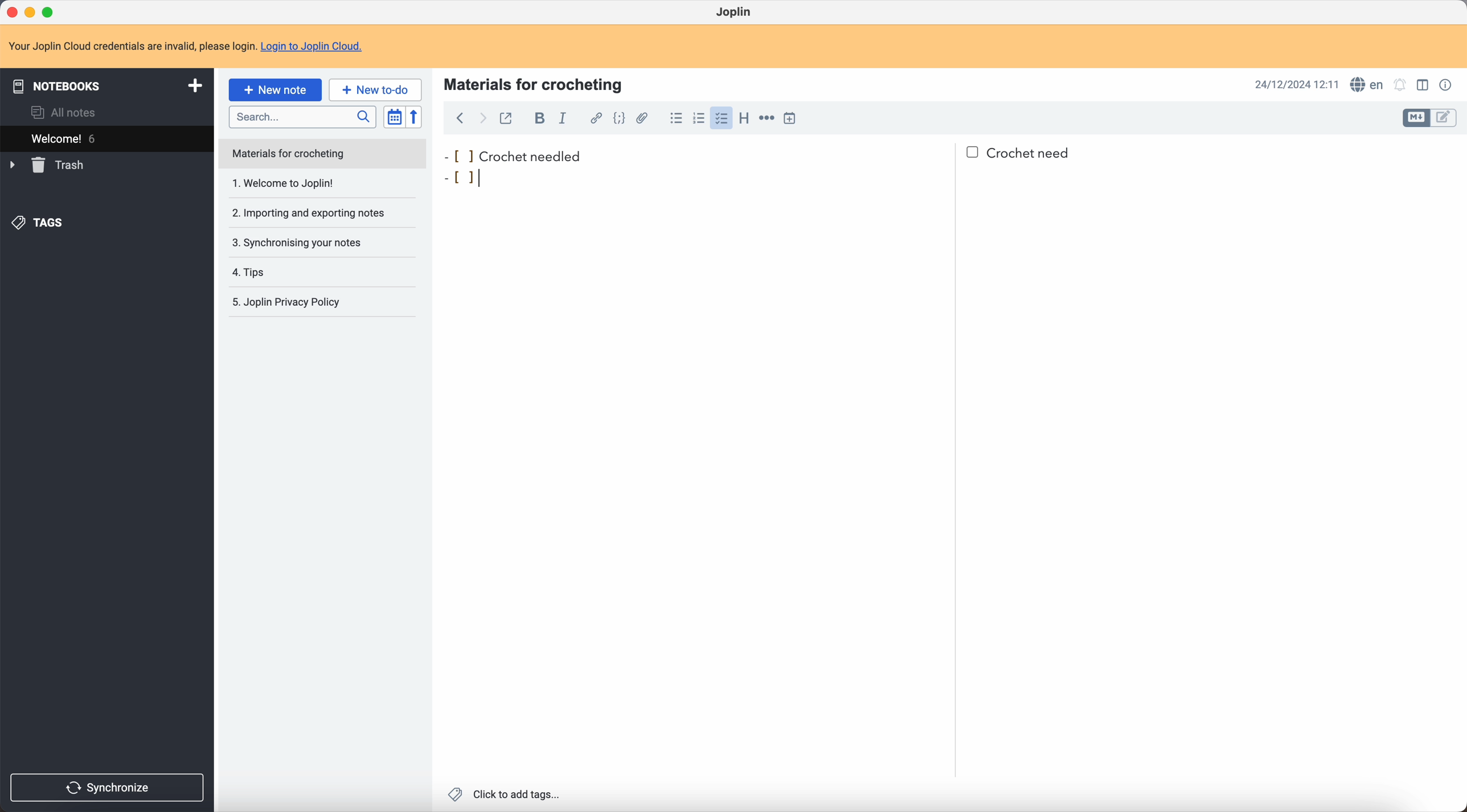 The width and height of the screenshot is (1467, 812). Describe the element at coordinates (593, 118) in the screenshot. I see `hyperlink` at that location.